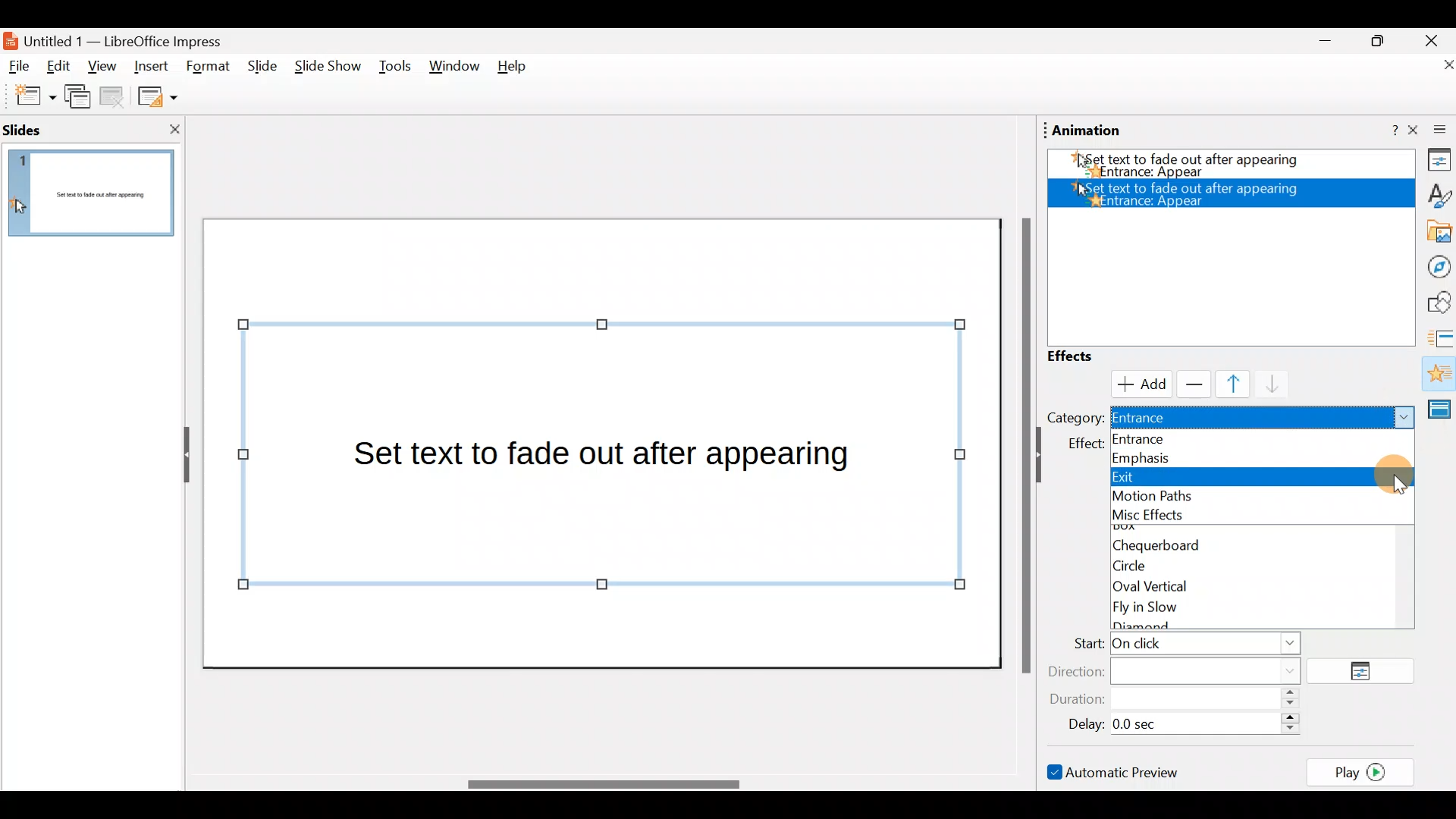 Image resolution: width=1456 pixels, height=819 pixels. Describe the element at coordinates (1270, 497) in the screenshot. I see `Motion paths` at that location.